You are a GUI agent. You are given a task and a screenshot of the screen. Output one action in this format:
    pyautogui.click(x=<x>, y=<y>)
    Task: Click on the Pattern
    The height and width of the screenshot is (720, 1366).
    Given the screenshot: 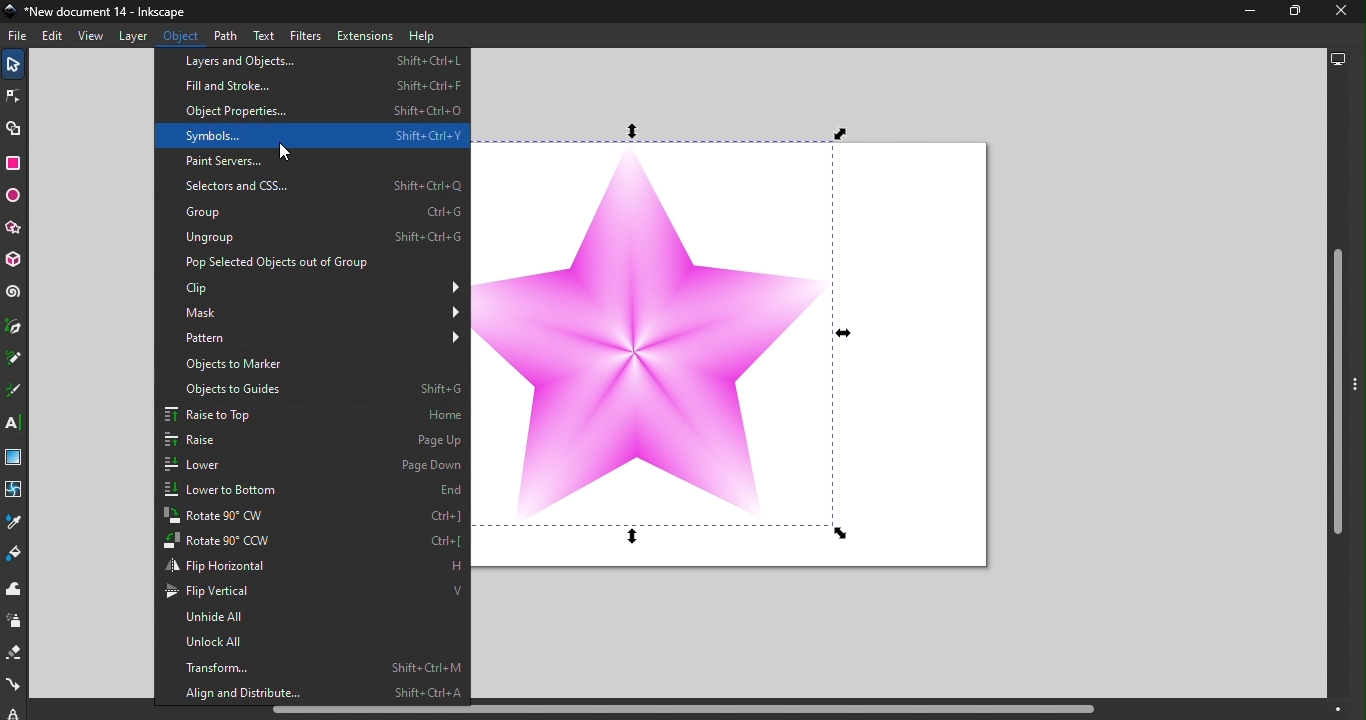 What is the action you would take?
    pyautogui.click(x=313, y=337)
    